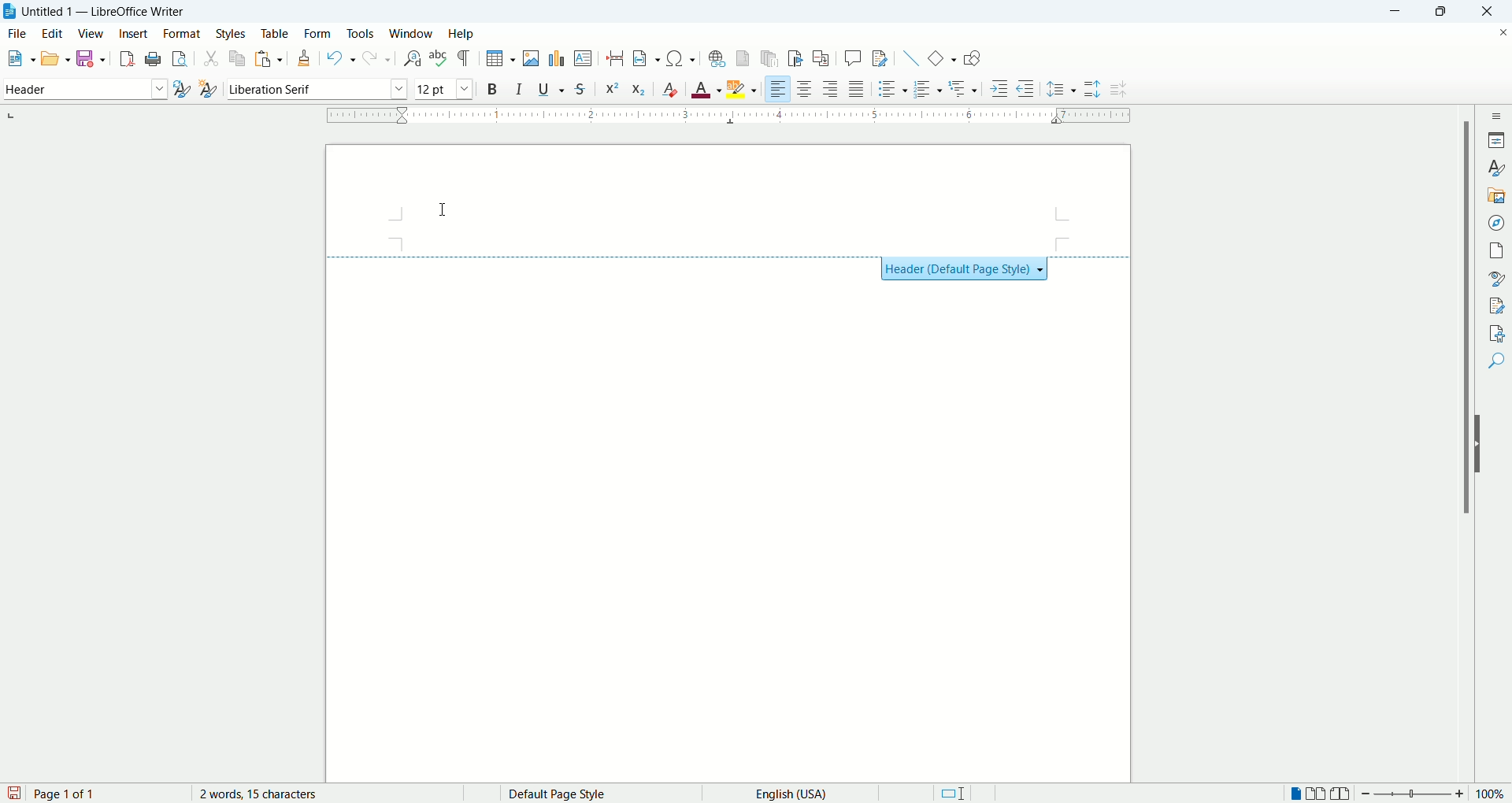 This screenshot has height=803, width=1512. What do you see at coordinates (1449, 13) in the screenshot?
I see `maximize` at bounding box center [1449, 13].